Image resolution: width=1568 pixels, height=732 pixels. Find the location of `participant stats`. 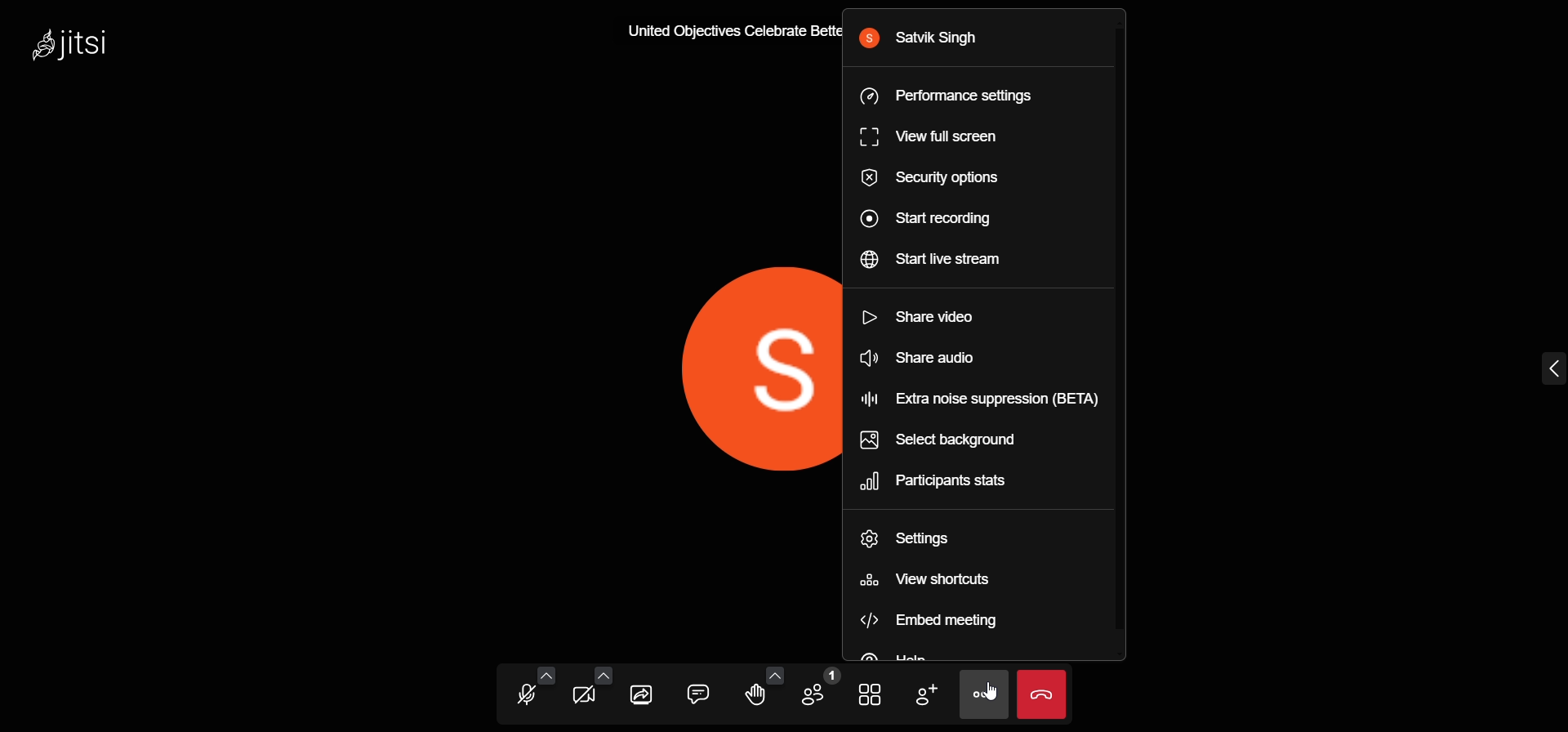

participant stats is located at coordinates (949, 481).